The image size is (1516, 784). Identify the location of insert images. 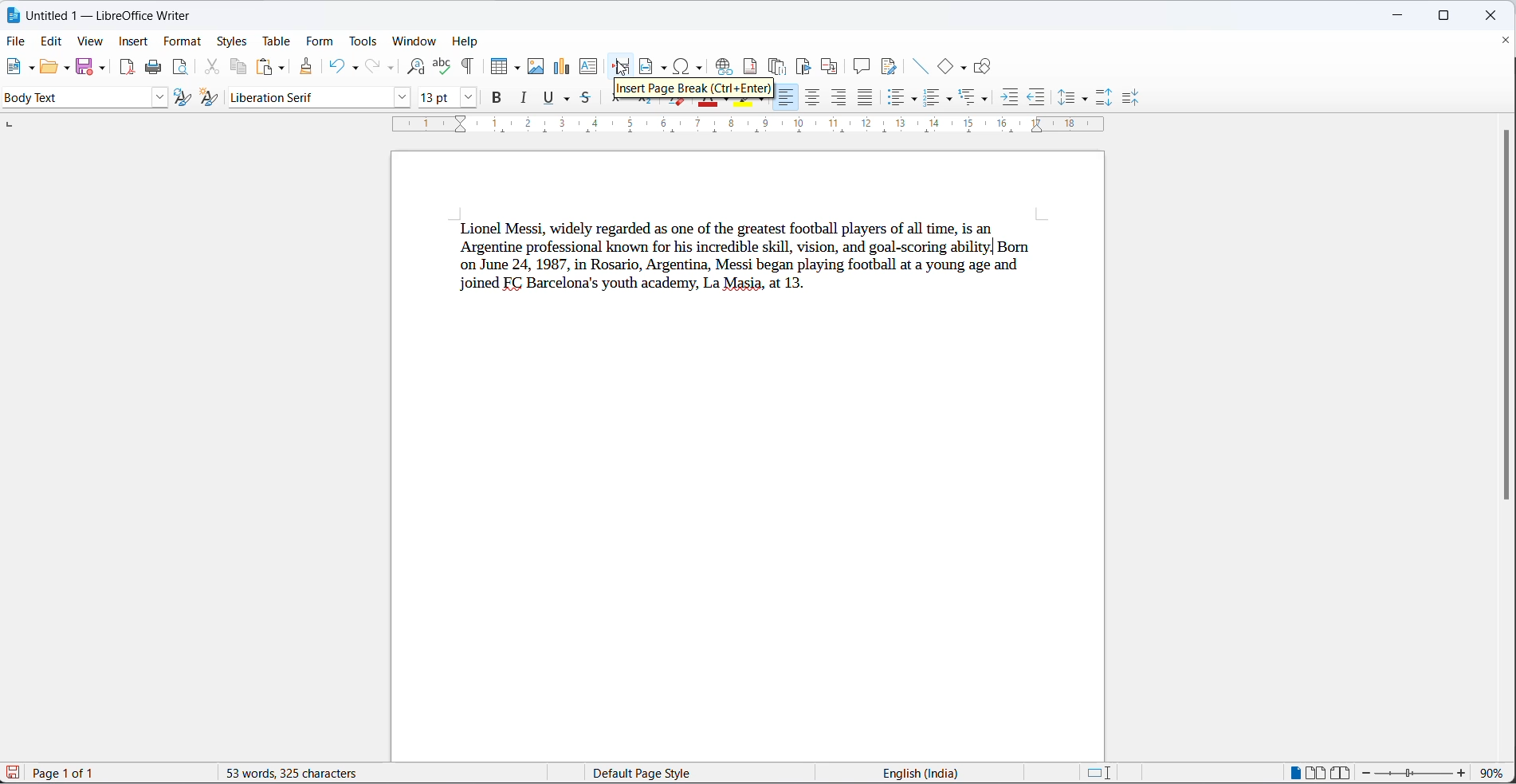
(536, 67).